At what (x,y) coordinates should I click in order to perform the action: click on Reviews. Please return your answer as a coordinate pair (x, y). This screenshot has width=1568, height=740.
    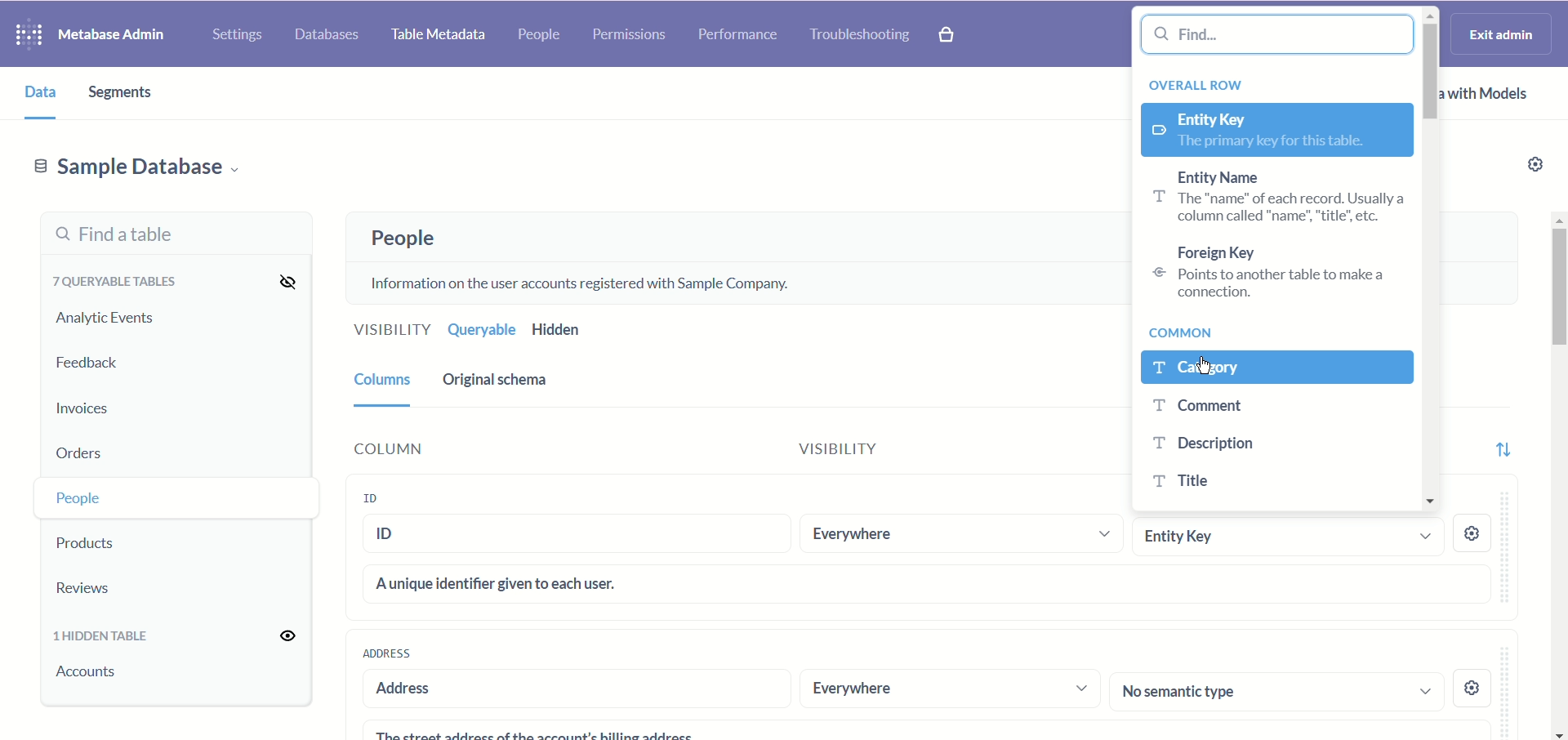
    Looking at the image, I should click on (110, 587).